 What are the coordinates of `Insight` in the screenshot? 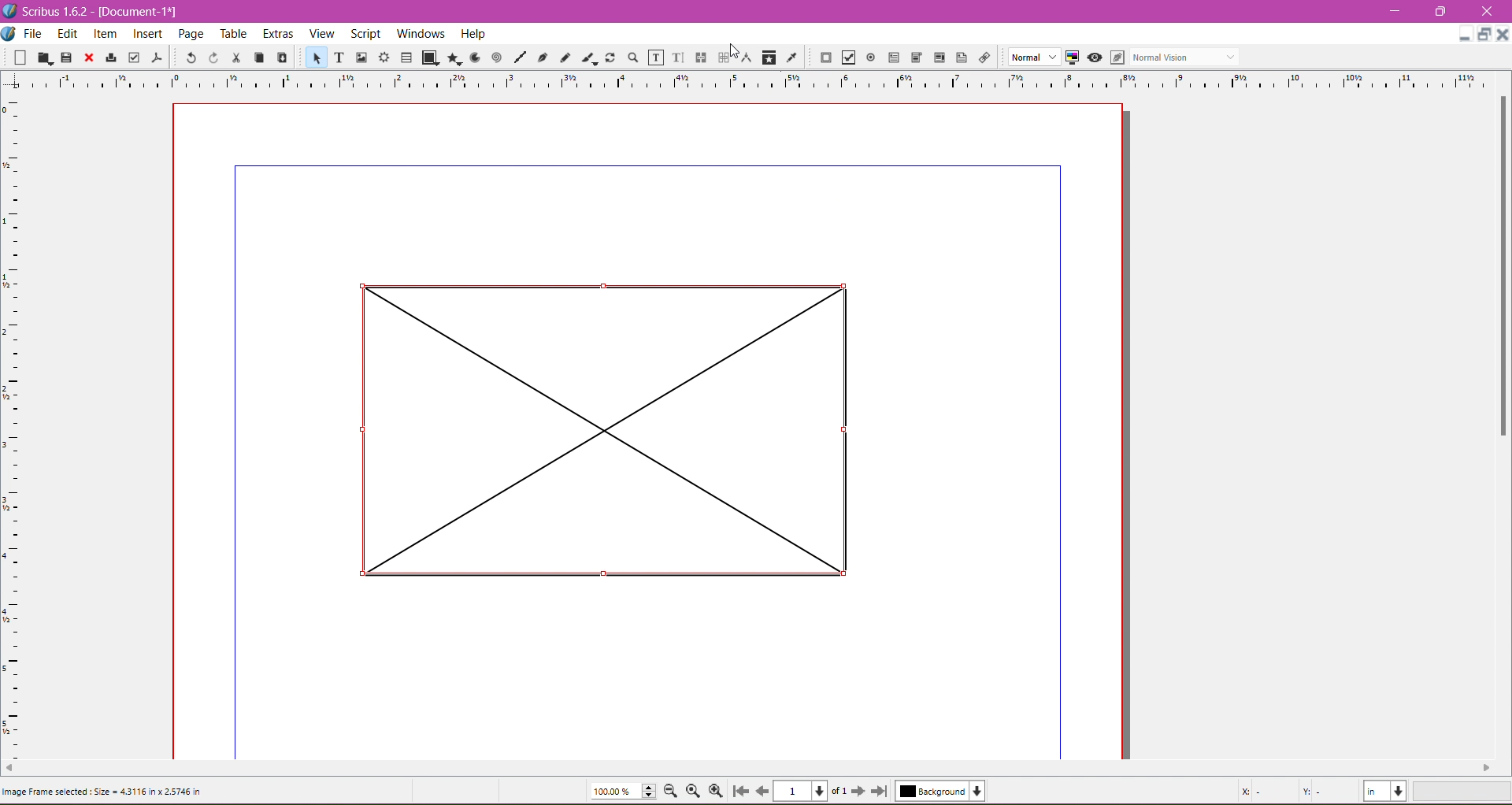 It's located at (146, 35).